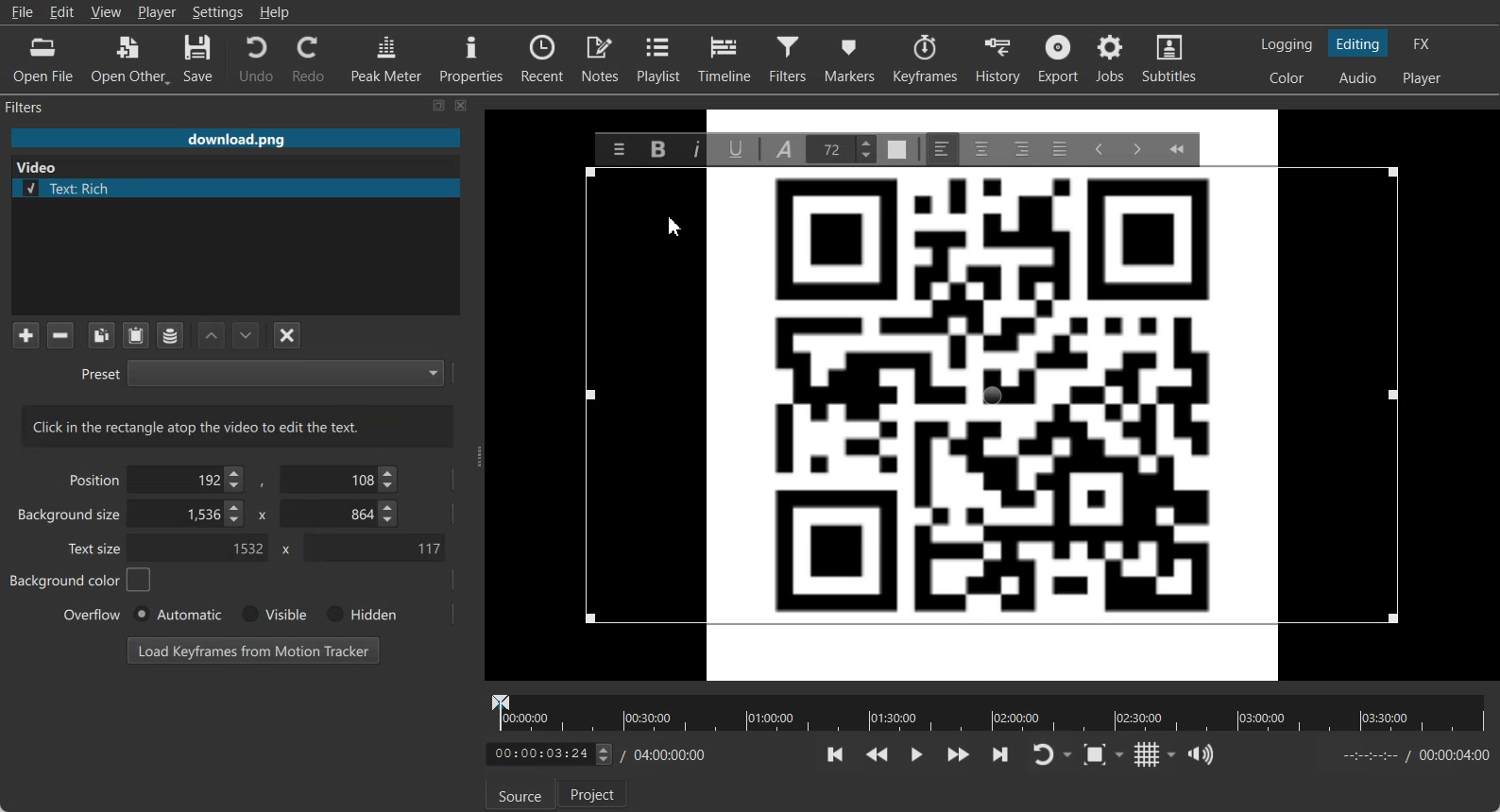 The image size is (1500, 812). Describe the element at coordinates (1097, 755) in the screenshot. I see `Toggle Zoom` at that location.